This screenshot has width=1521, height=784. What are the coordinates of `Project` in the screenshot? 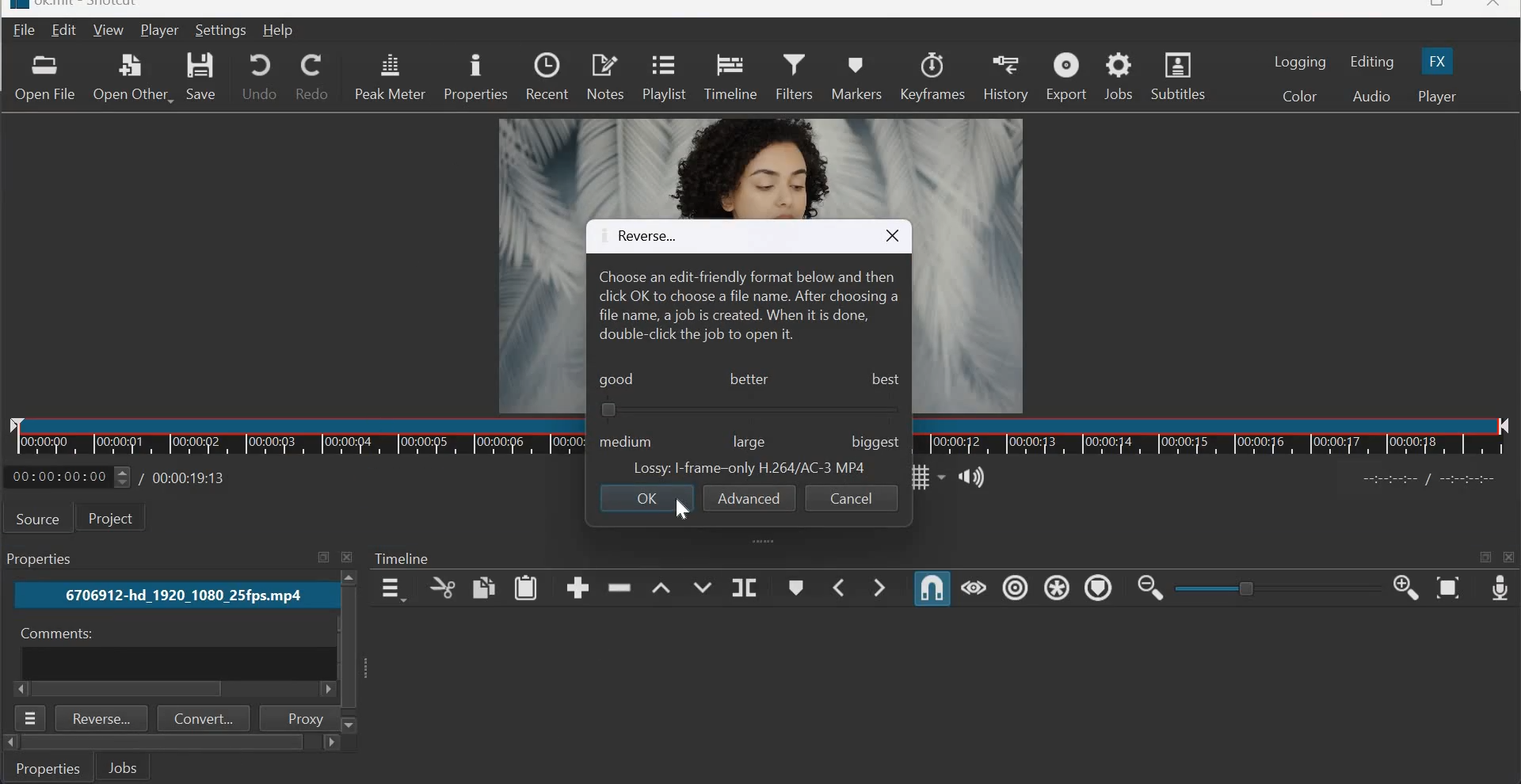 It's located at (116, 518).